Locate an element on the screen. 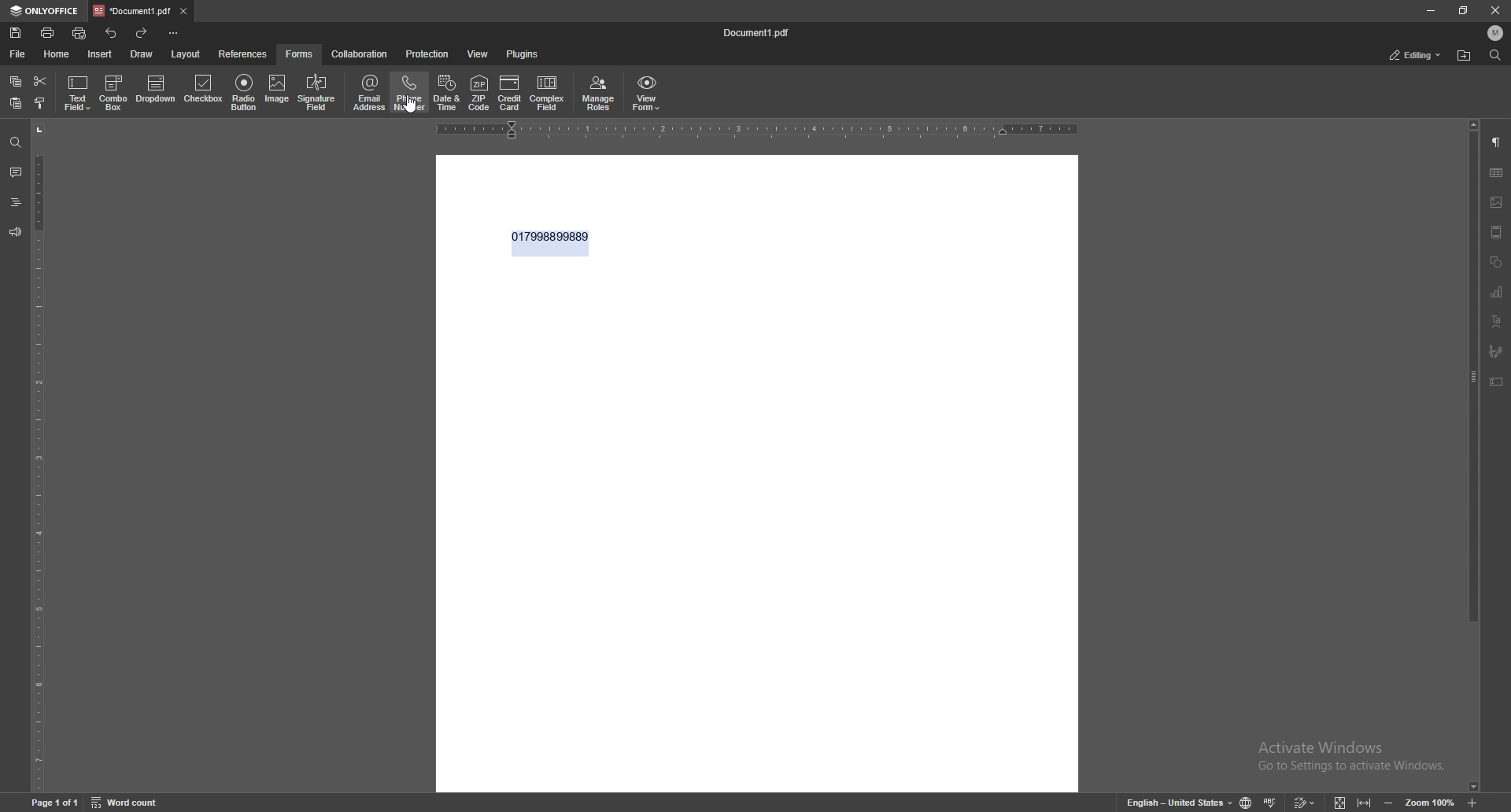  credit card is located at coordinates (510, 94).